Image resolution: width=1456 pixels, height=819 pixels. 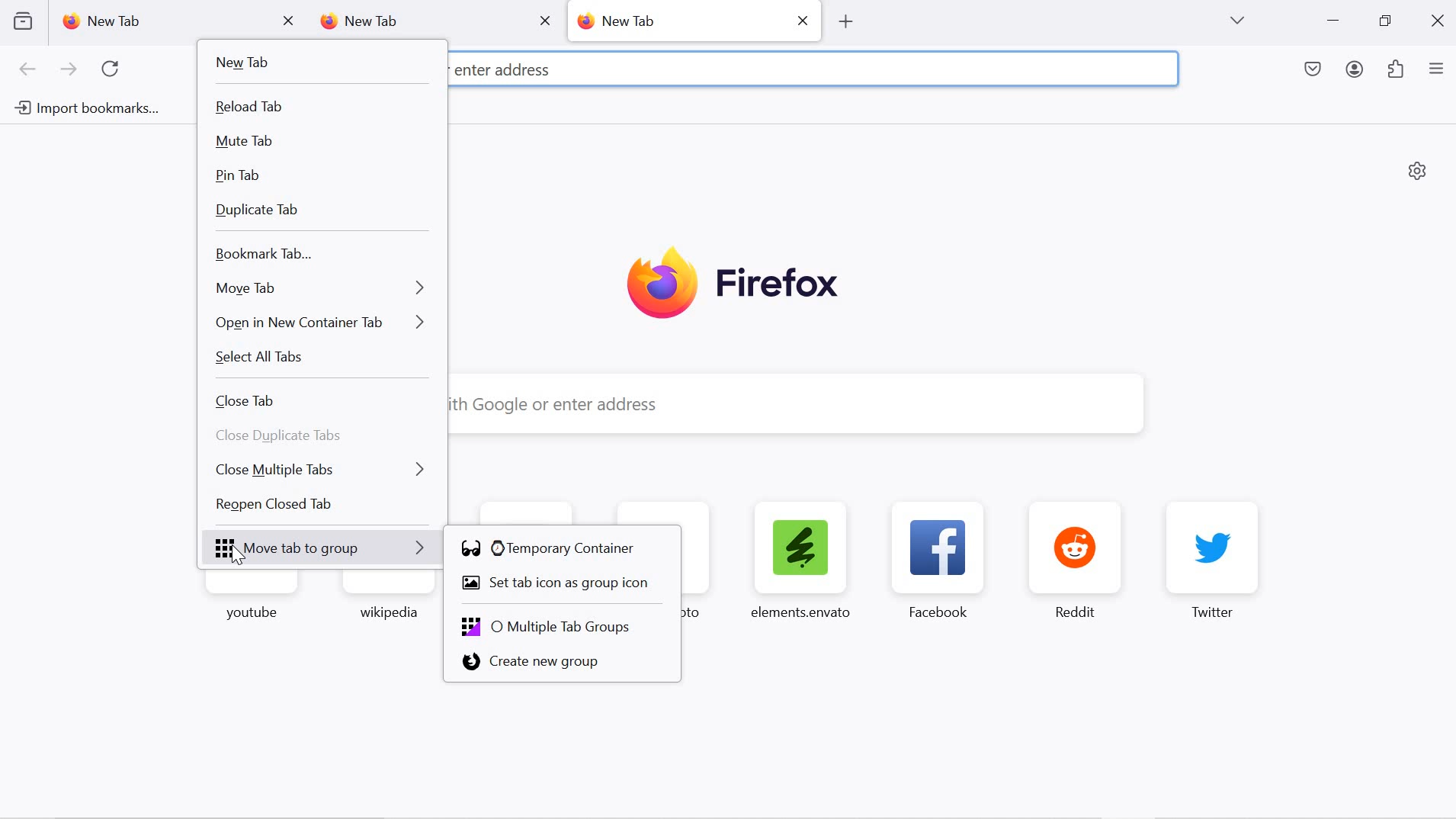 I want to click on go back, so click(x=28, y=70).